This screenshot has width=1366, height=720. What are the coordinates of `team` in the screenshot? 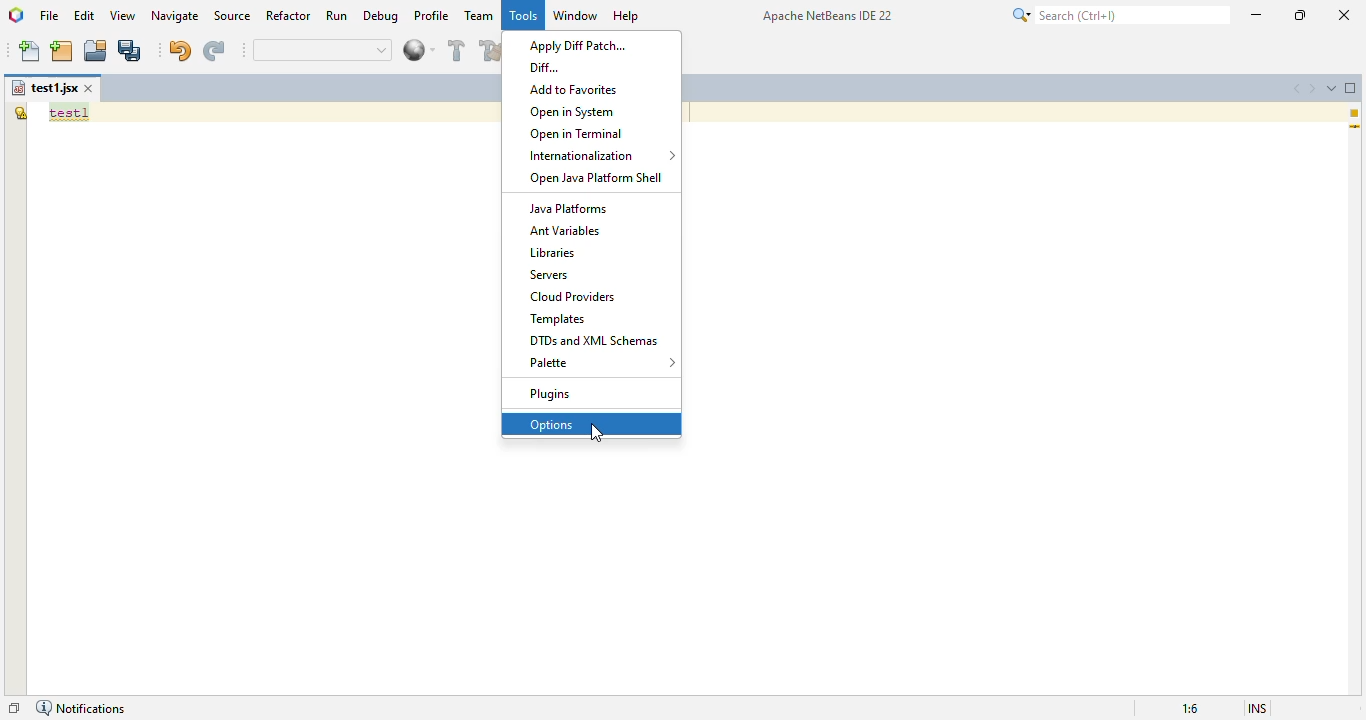 It's located at (480, 15).